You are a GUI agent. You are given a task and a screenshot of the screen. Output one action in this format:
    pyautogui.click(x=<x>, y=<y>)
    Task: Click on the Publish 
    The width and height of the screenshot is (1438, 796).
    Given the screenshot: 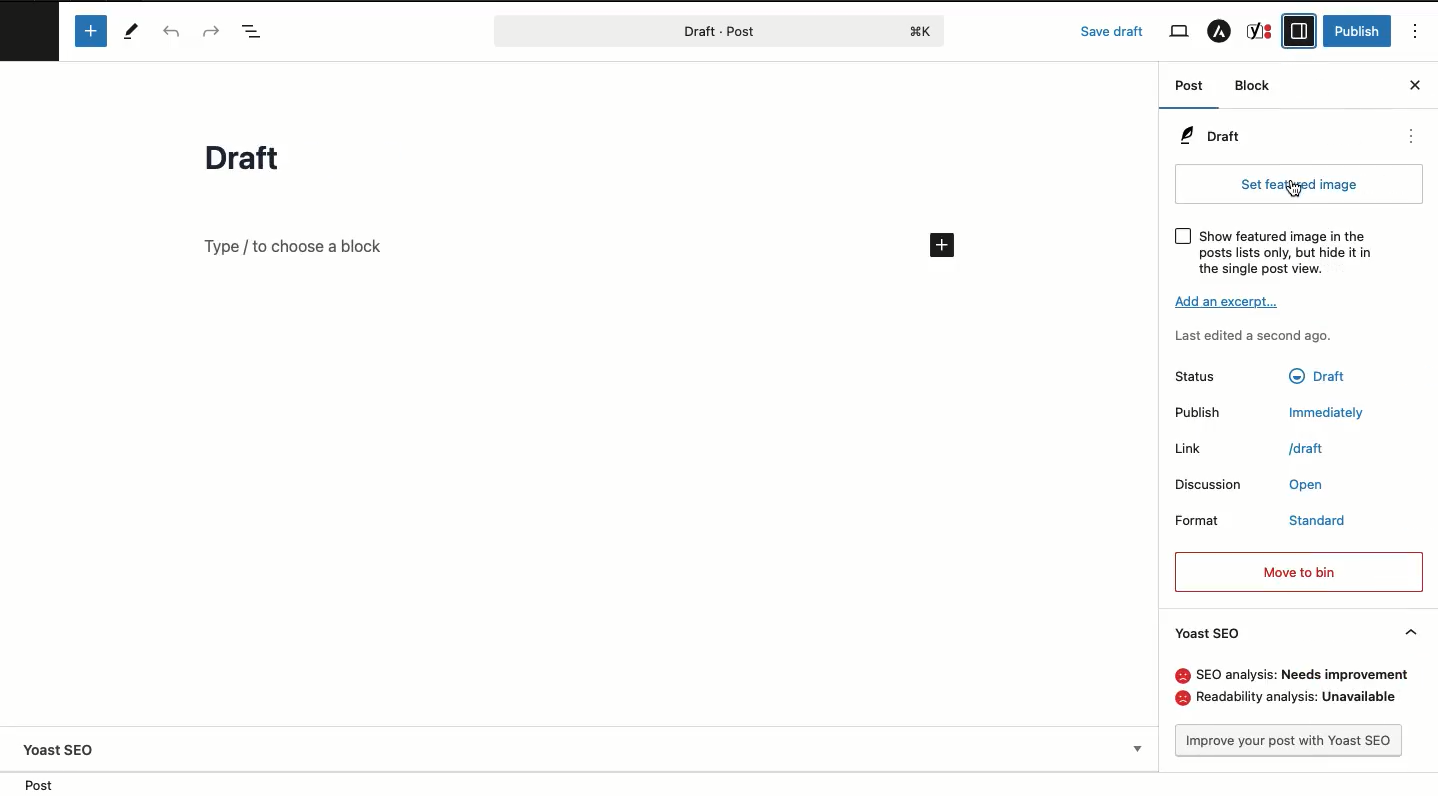 What is the action you would take?
    pyautogui.click(x=1360, y=32)
    